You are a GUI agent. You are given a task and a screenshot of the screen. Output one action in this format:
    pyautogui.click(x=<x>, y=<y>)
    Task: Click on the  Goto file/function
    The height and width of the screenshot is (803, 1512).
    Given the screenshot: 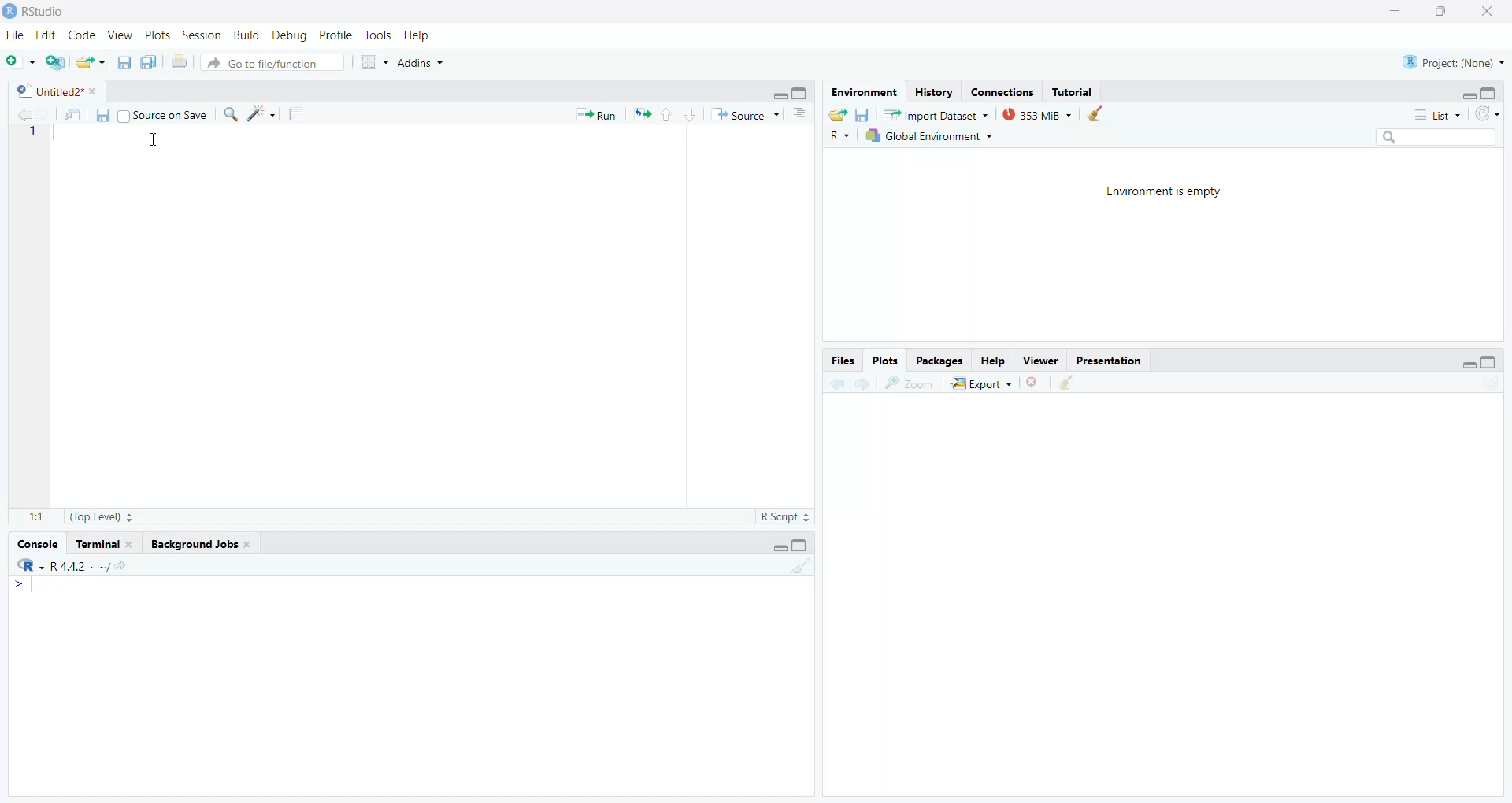 What is the action you would take?
    pyautogui.click(x=275, y=64)
    